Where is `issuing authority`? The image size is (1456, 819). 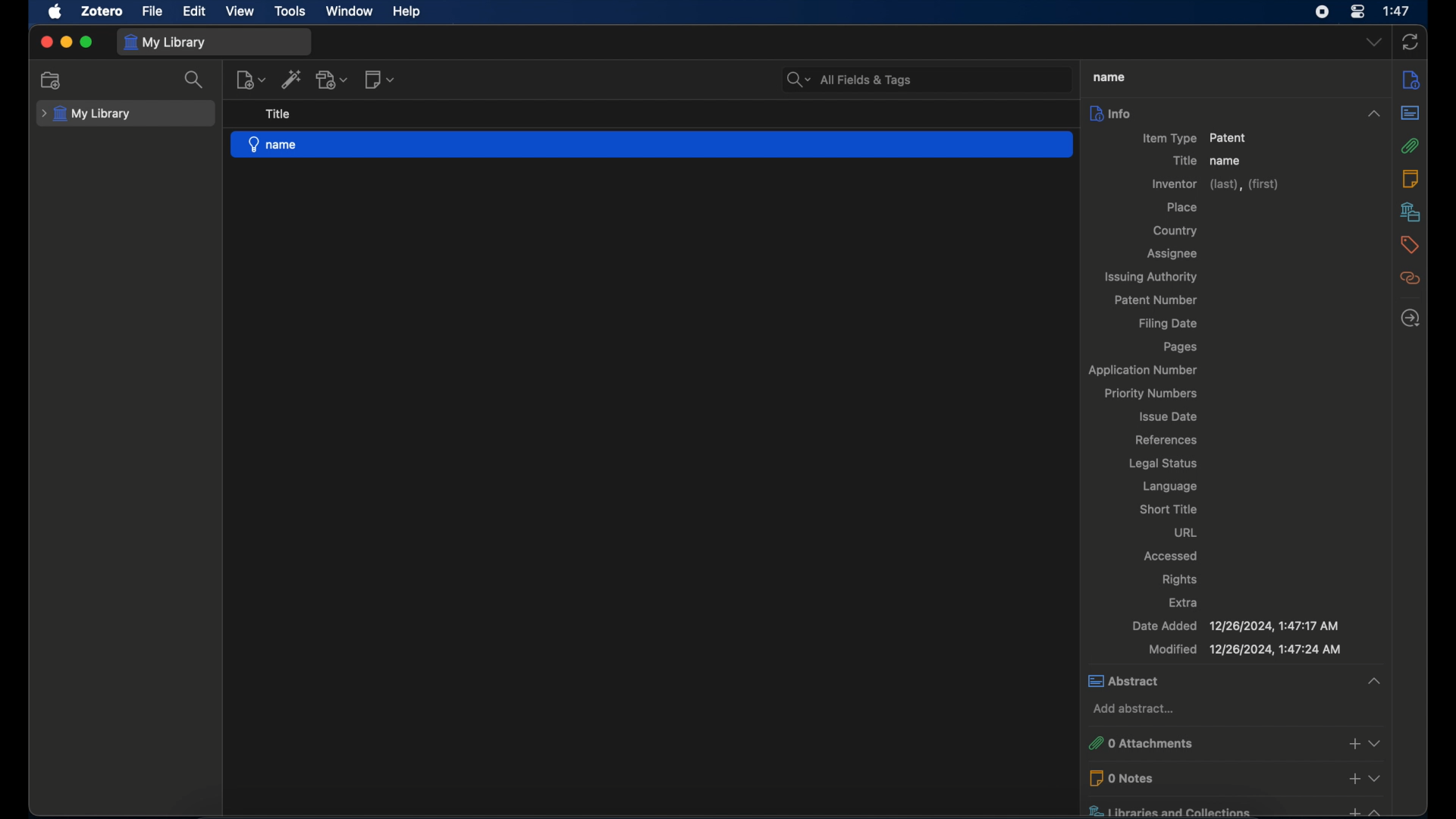
issuing authority is located at coordinates (1150, 277).